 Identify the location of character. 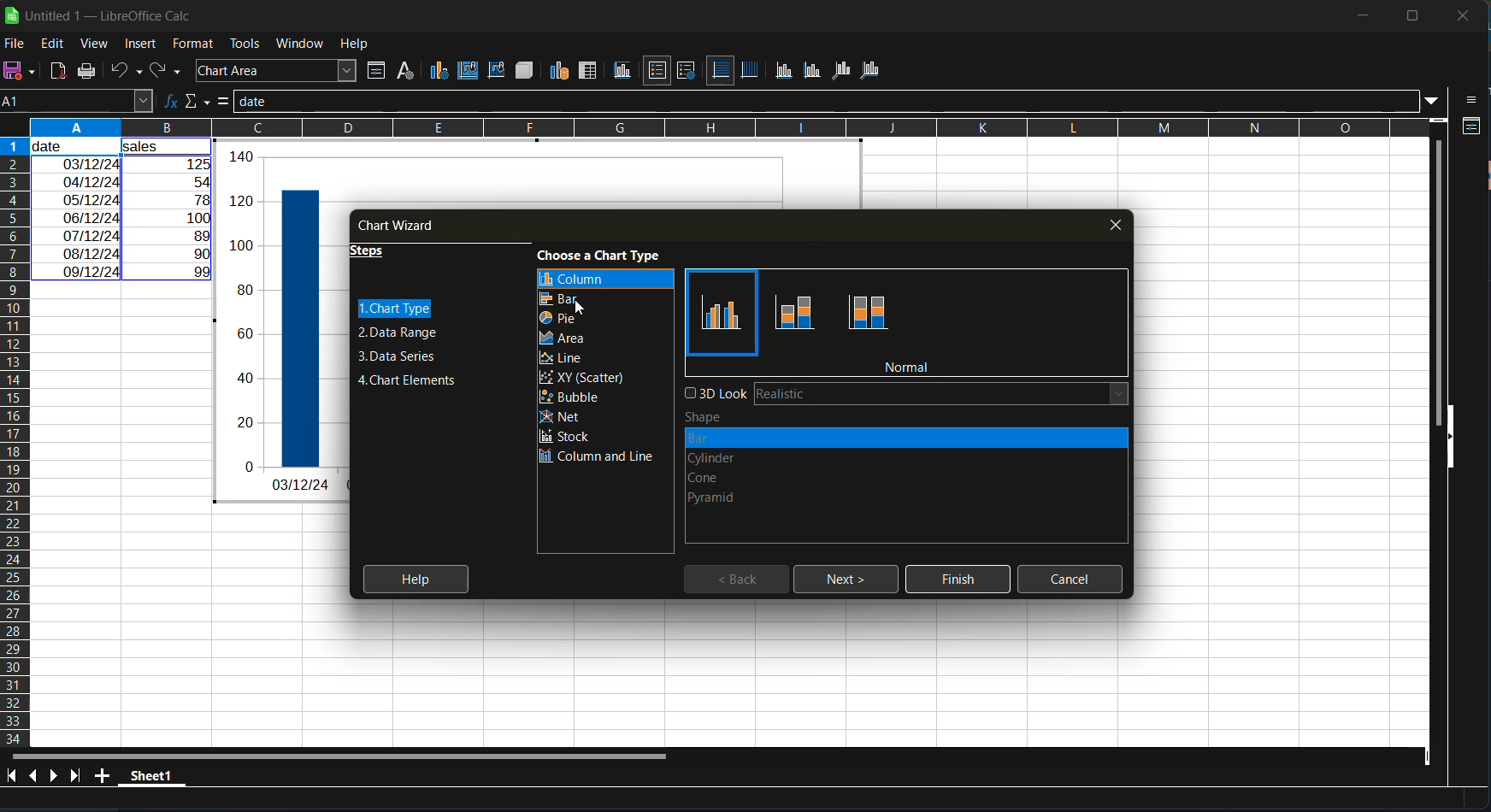
(404, 71).